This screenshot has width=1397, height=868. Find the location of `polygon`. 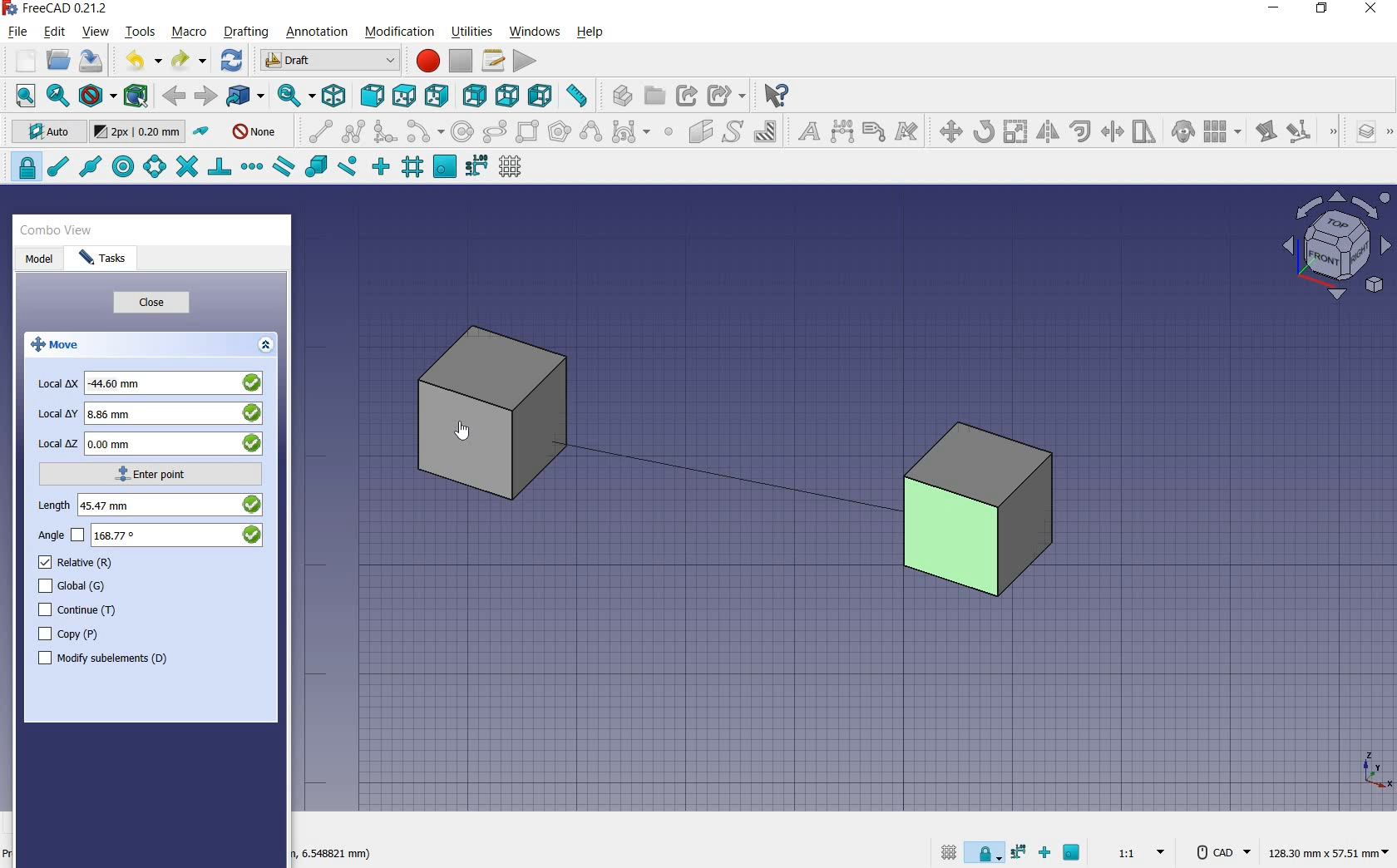

polygon is located at coordinates (560, 132).